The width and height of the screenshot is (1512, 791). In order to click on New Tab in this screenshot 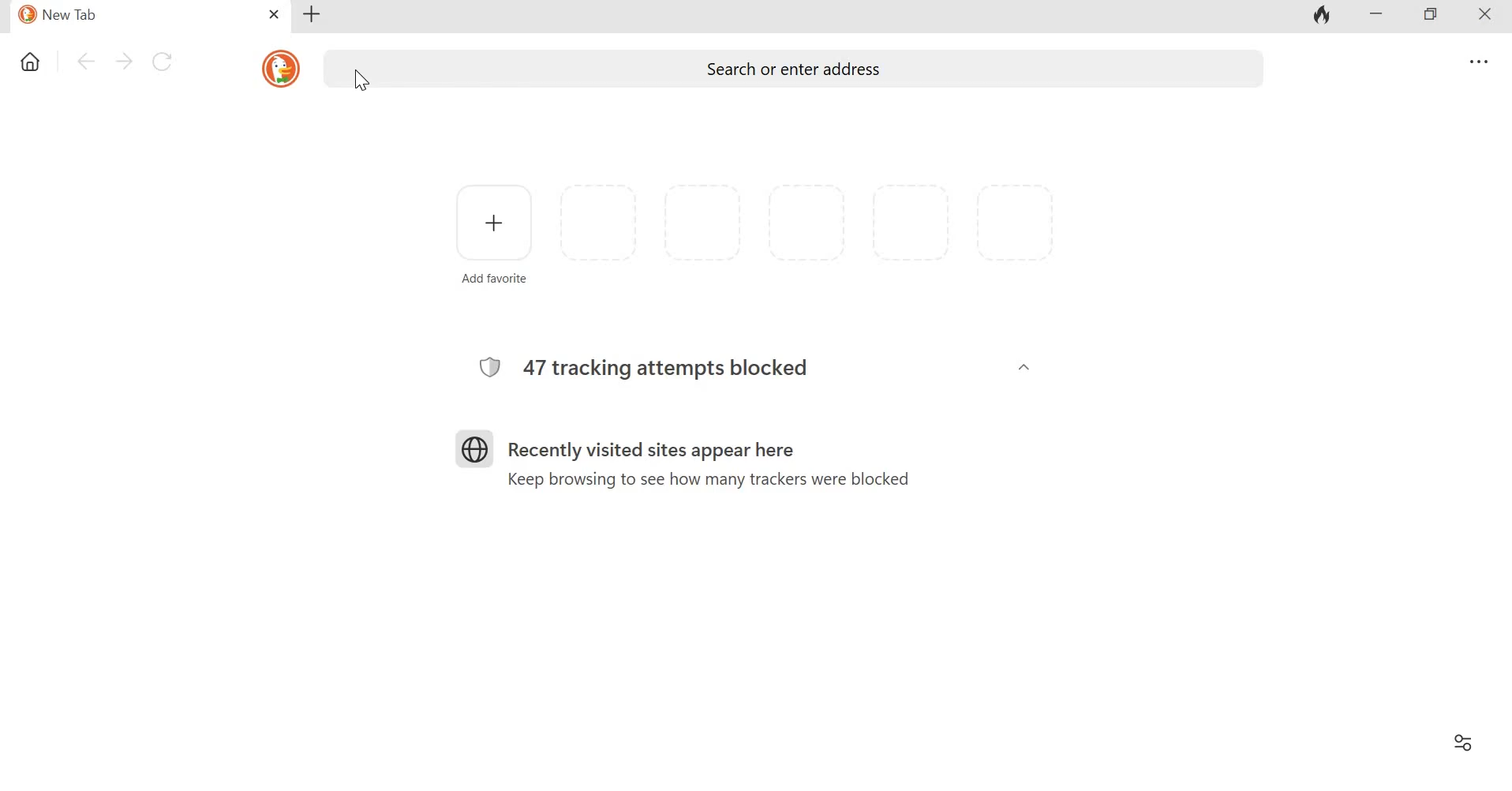, I will do `click(128, 17)`.